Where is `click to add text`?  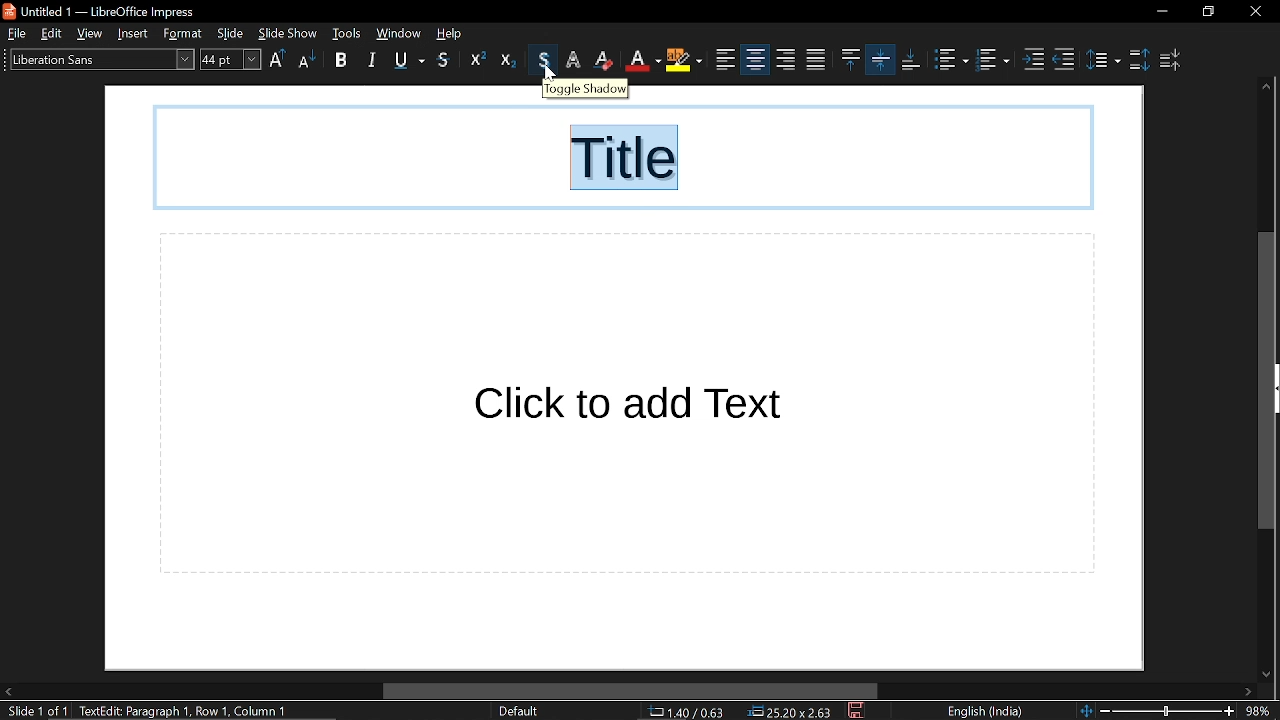 click to add text is located at coordinates (627, 404).